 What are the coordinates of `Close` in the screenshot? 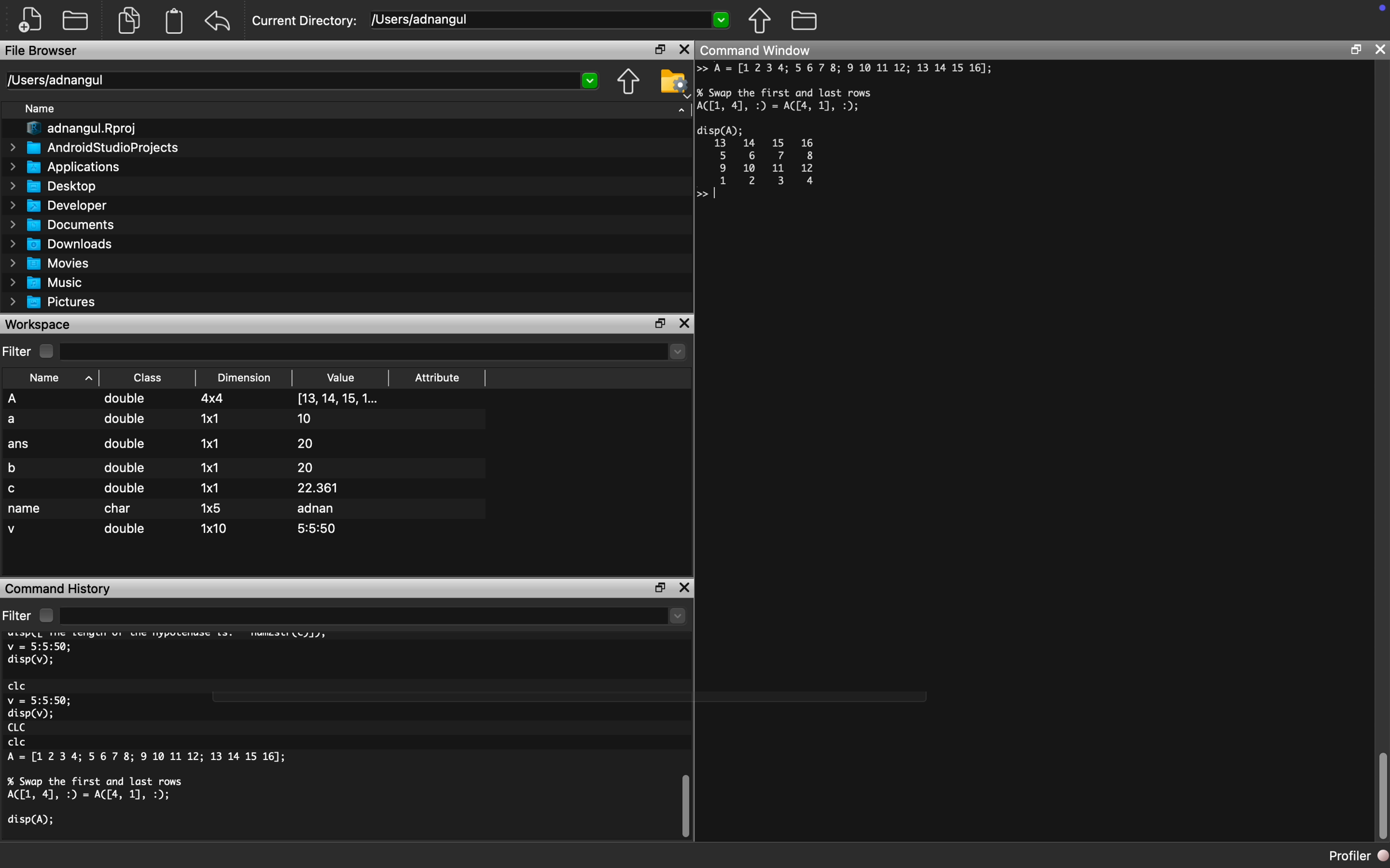 It's located at (686, 323).